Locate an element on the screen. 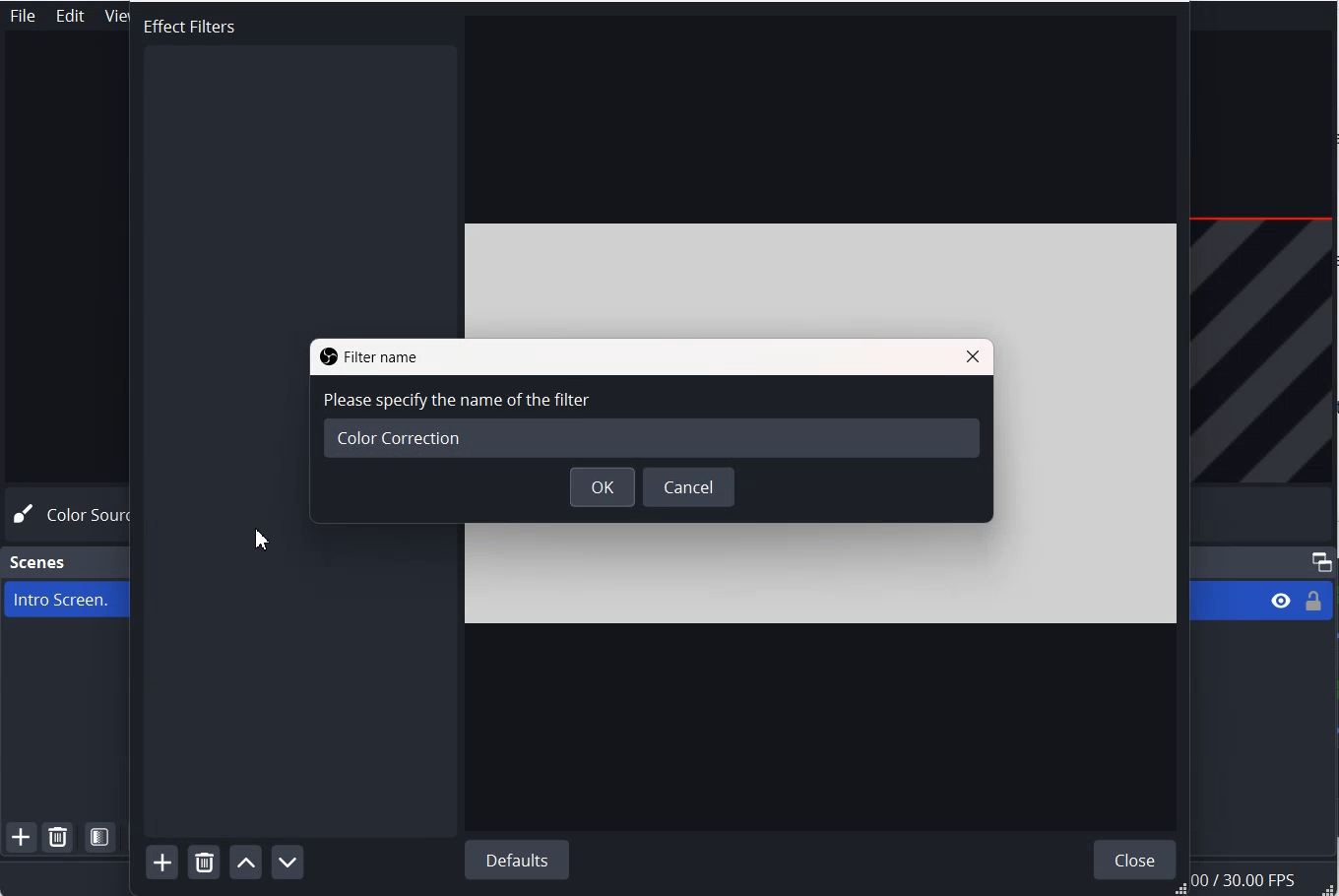 The image size is (1339, 896). Color Source is located at coordinates (72, 515).